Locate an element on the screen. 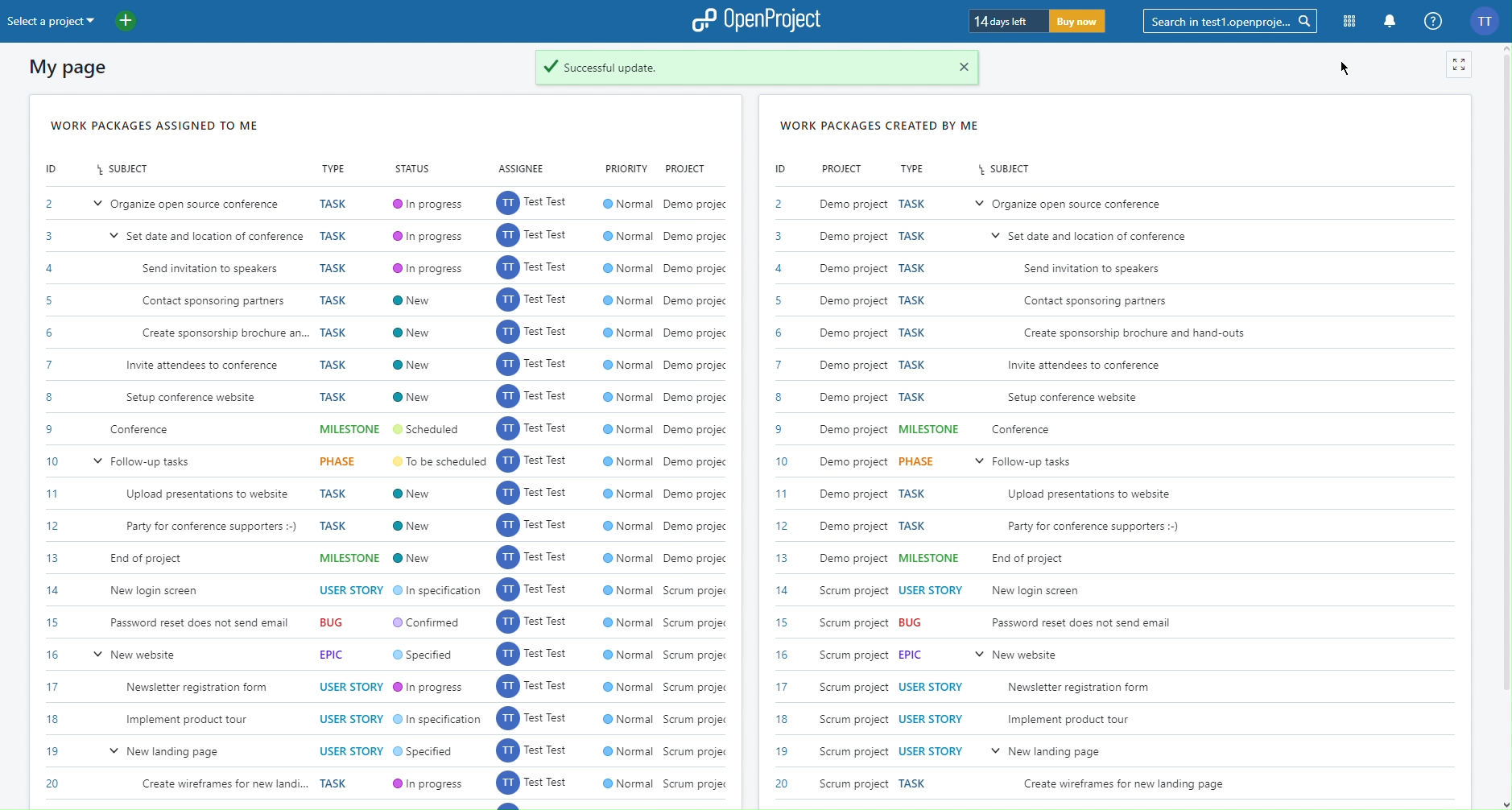  Milestone is located at coordinates (927, 430).